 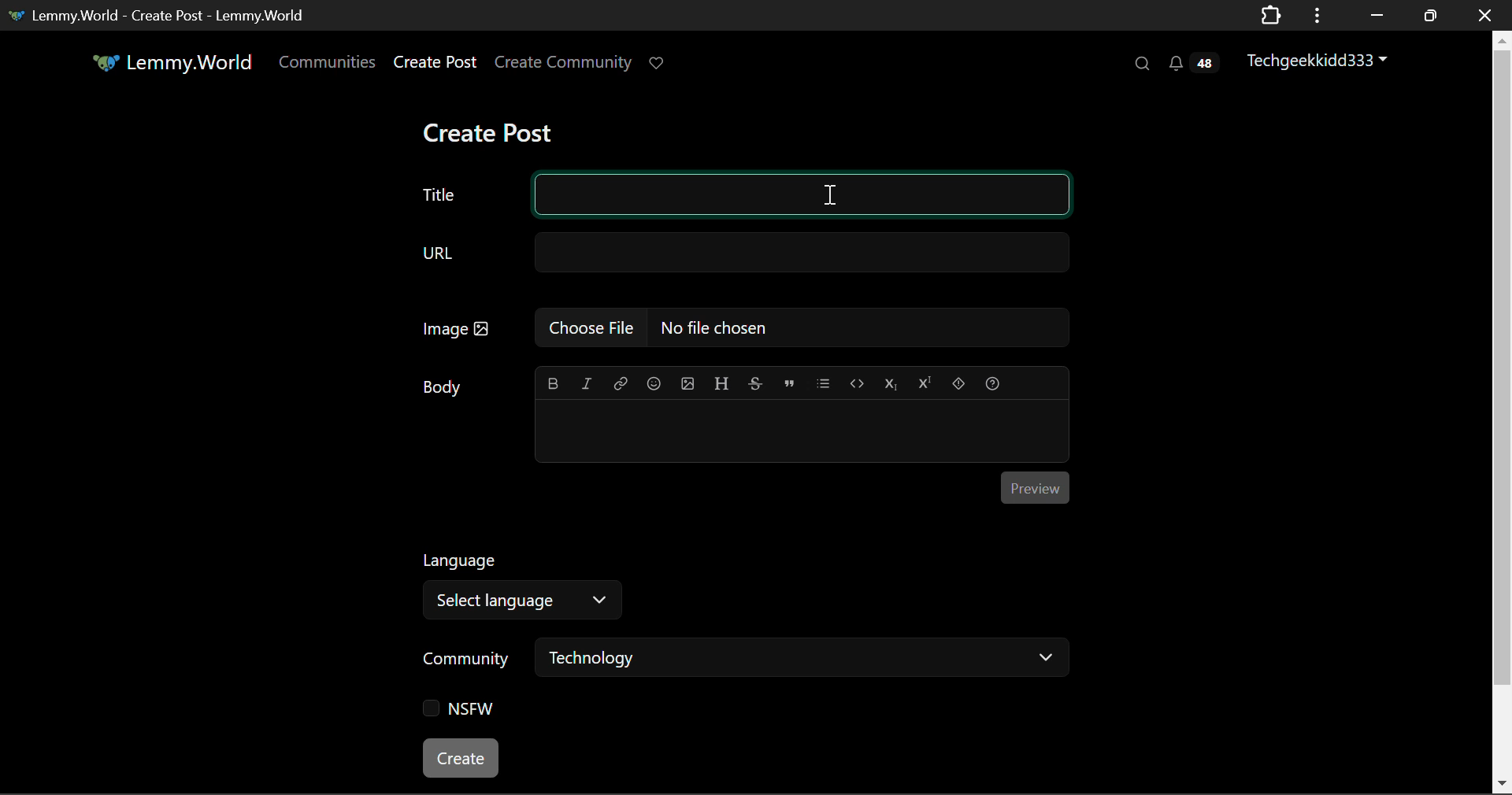 What do you see at coordinates (445, 386) in the screenshot?
I see `Body` at bounding box center [445, 386].